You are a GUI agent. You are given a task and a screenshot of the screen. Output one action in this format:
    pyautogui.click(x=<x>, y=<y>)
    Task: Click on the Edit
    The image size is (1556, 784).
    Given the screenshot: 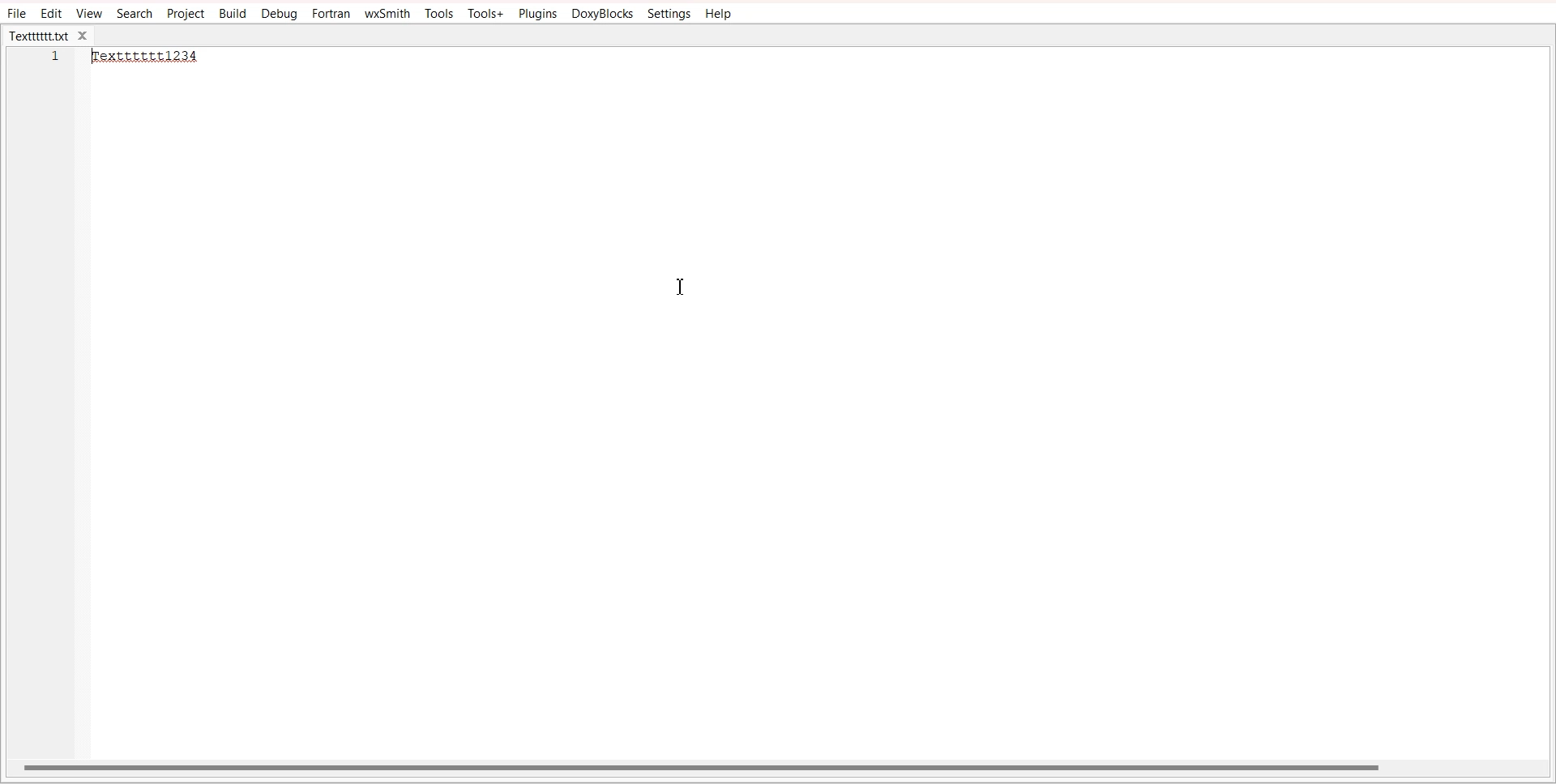 What is the action you would take?
    pyautogui.click(x=51, y=13)
    